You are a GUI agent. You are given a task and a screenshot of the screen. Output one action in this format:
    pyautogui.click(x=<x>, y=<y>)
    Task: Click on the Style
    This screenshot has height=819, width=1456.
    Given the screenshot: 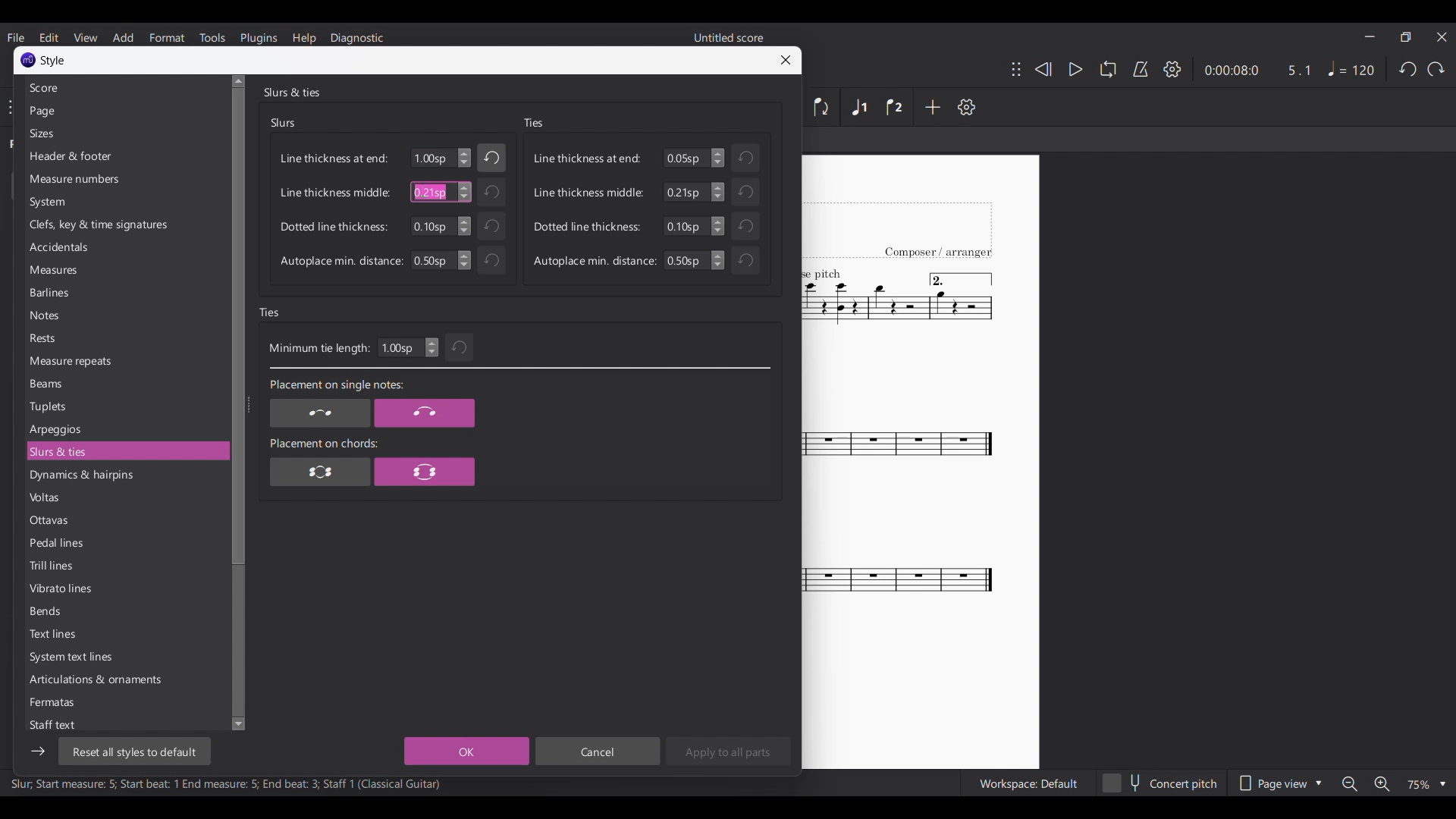 What is the action you would take?
    pyautogui.click(x=54, y=61)
    